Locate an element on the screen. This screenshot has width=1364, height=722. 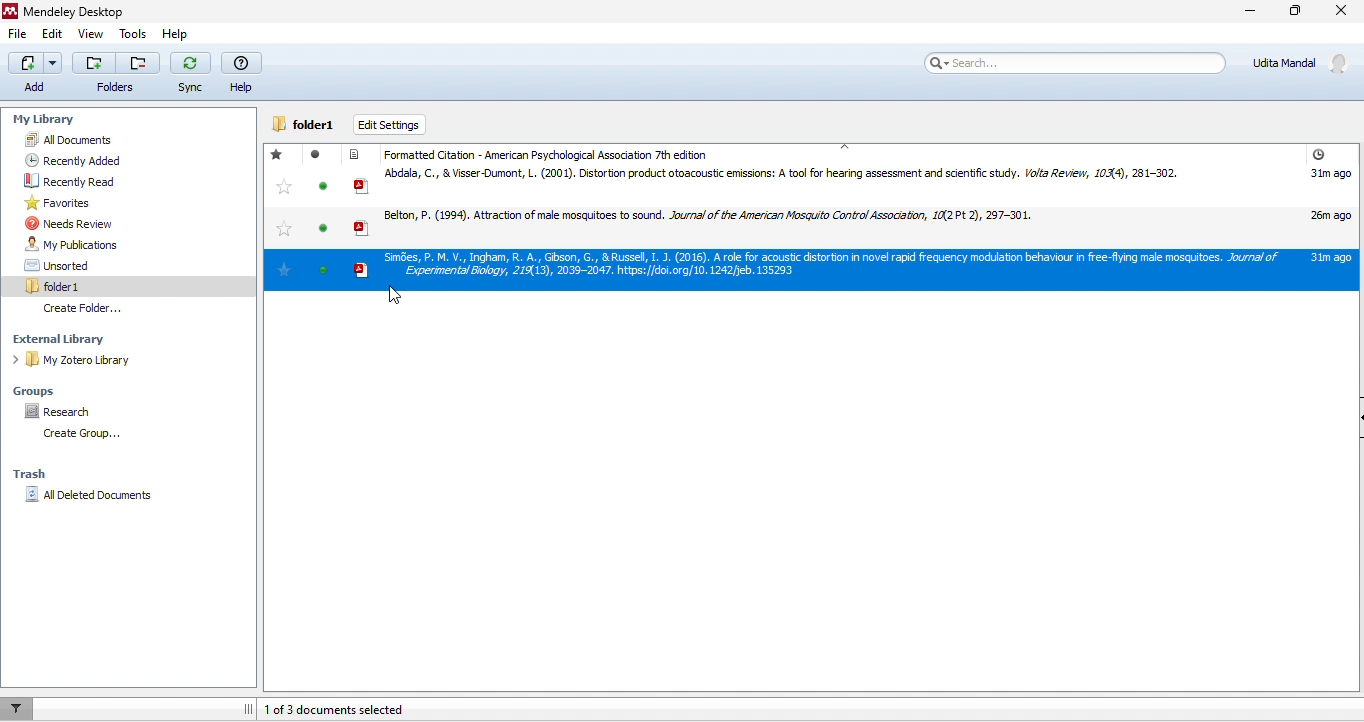
recently read is located at coordinates (66, 180).